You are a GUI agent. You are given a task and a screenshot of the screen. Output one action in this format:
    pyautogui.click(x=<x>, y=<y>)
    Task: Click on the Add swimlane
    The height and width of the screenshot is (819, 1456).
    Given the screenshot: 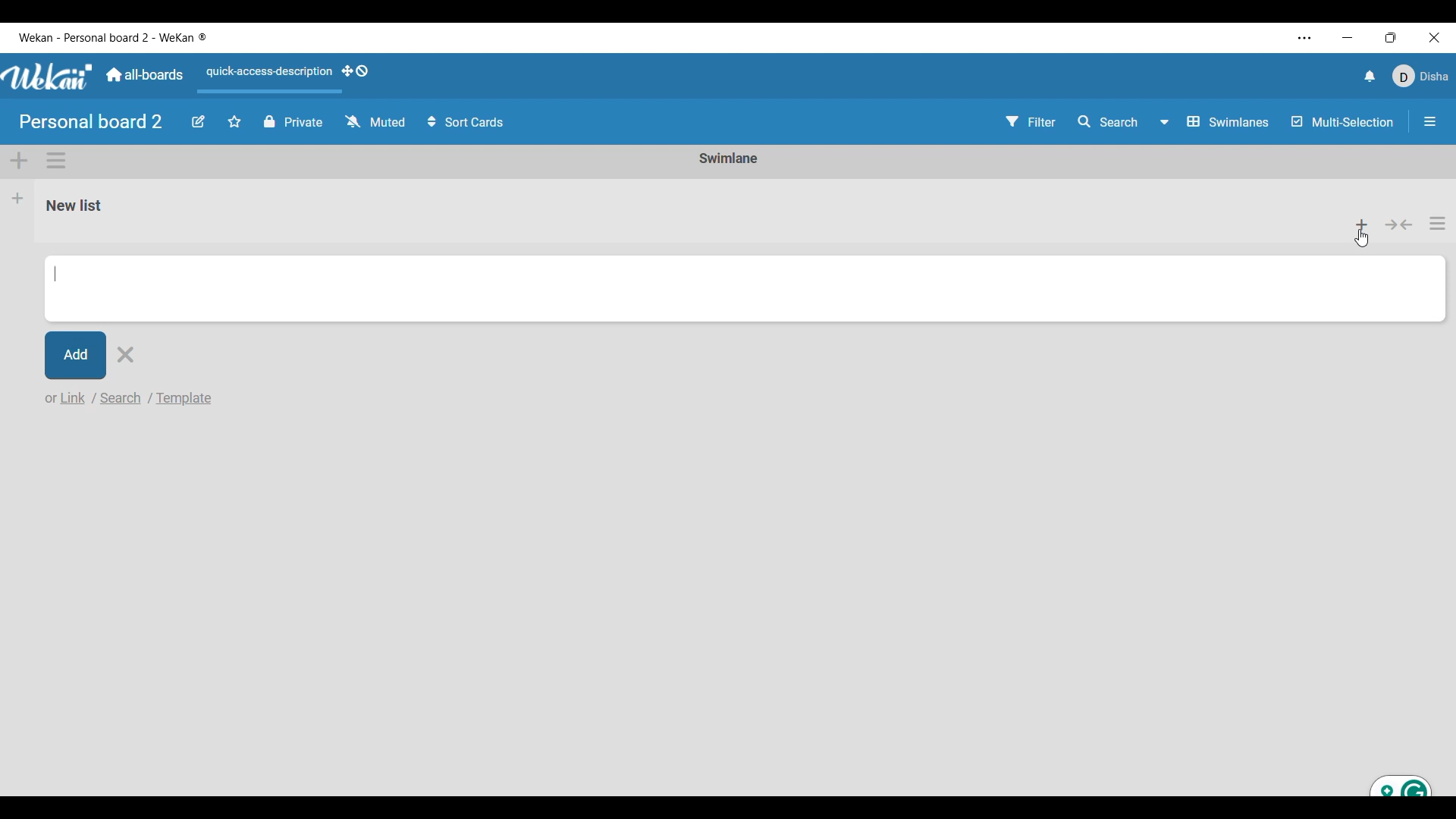 What is the action you would take?
    pyautogui.click(x=20, y=162)
    